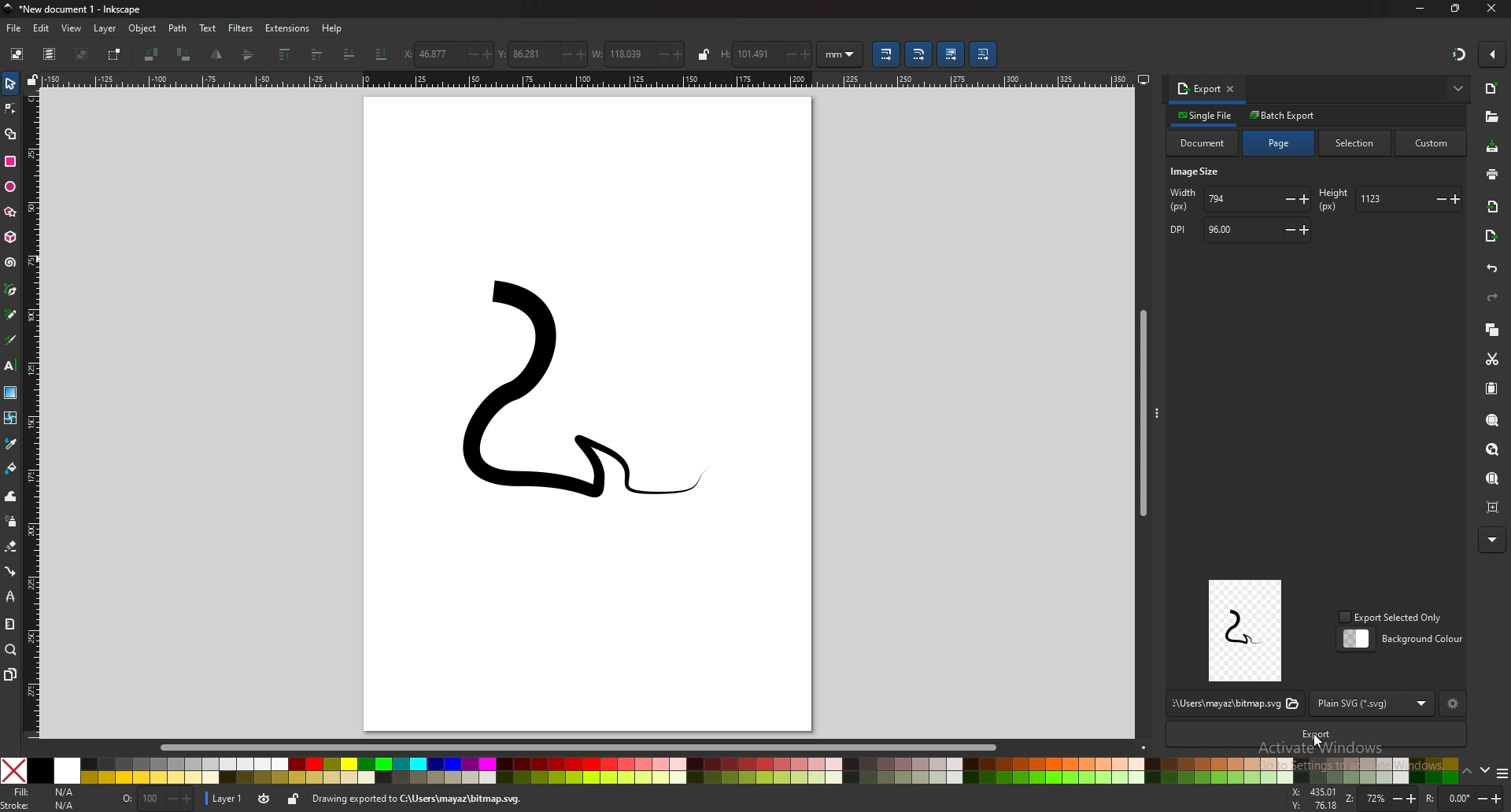 This screenshot has height=812, width=1511. I want to click on width, so click(1240, 200).